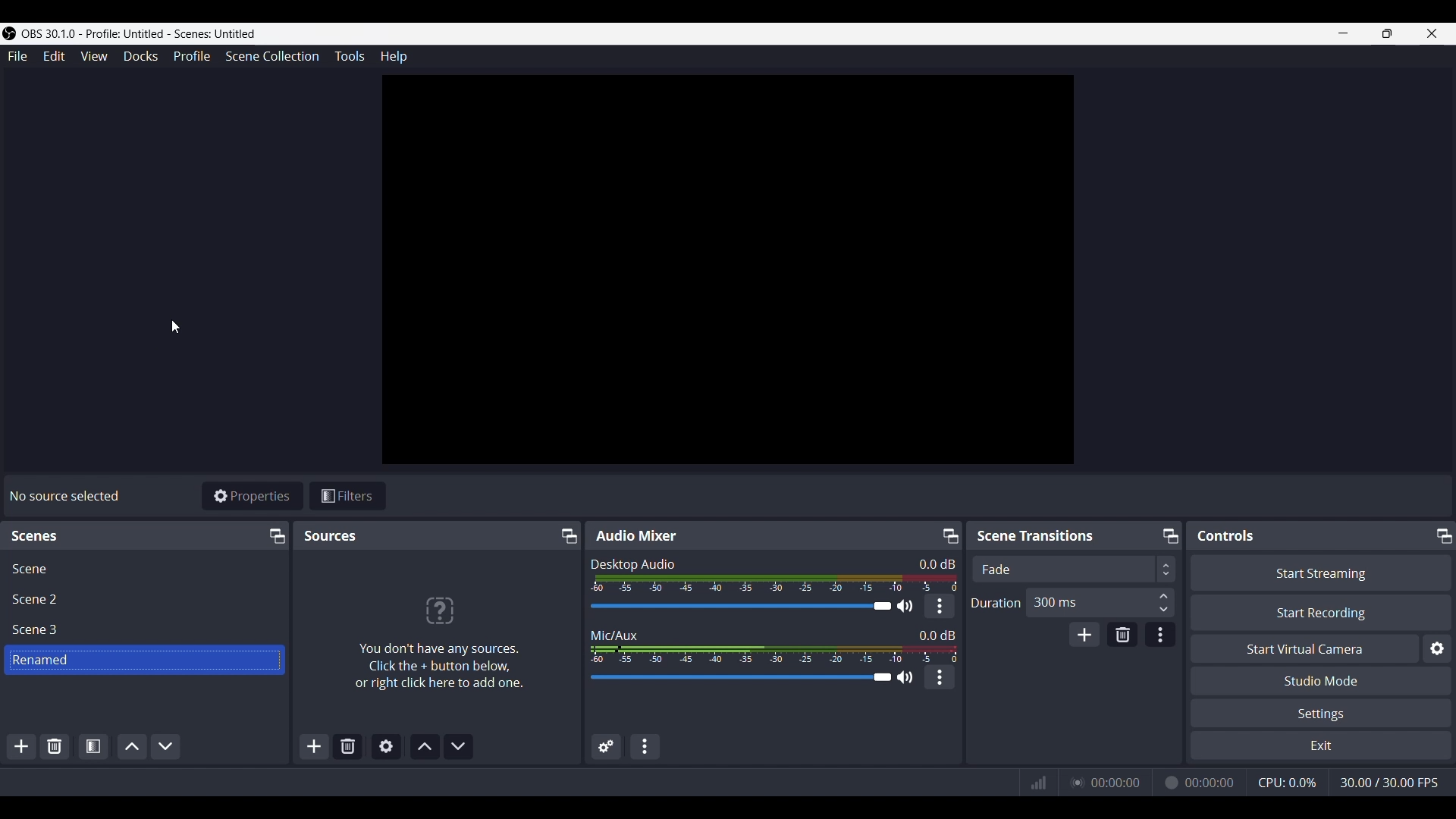  I want to click on Desktop Audio, so click(633, 564).